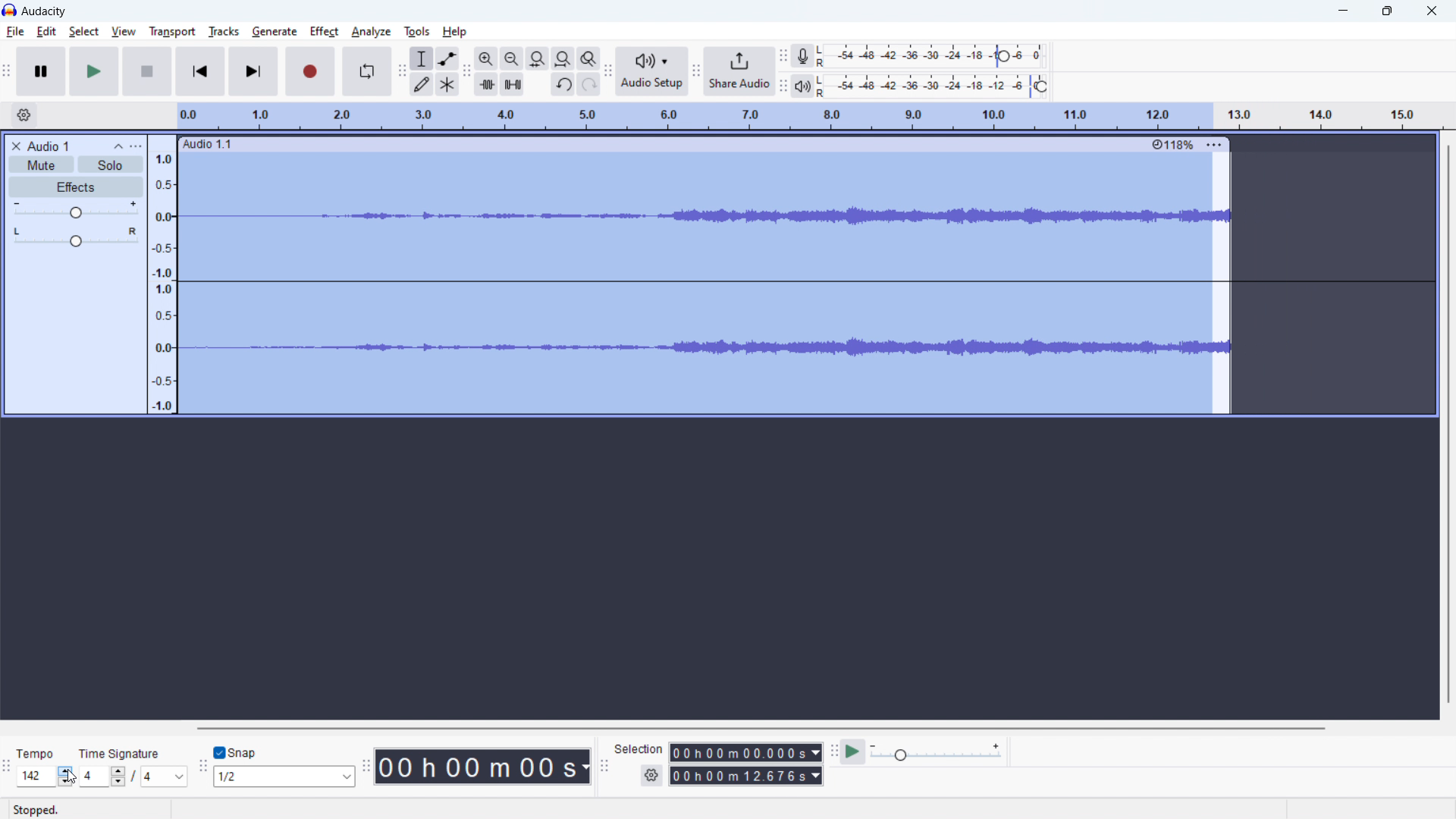 This screenshot has height=819, width=1456. Describe the element at coordinates (370, 33) in the screenshot. I see `analyze` at that location.